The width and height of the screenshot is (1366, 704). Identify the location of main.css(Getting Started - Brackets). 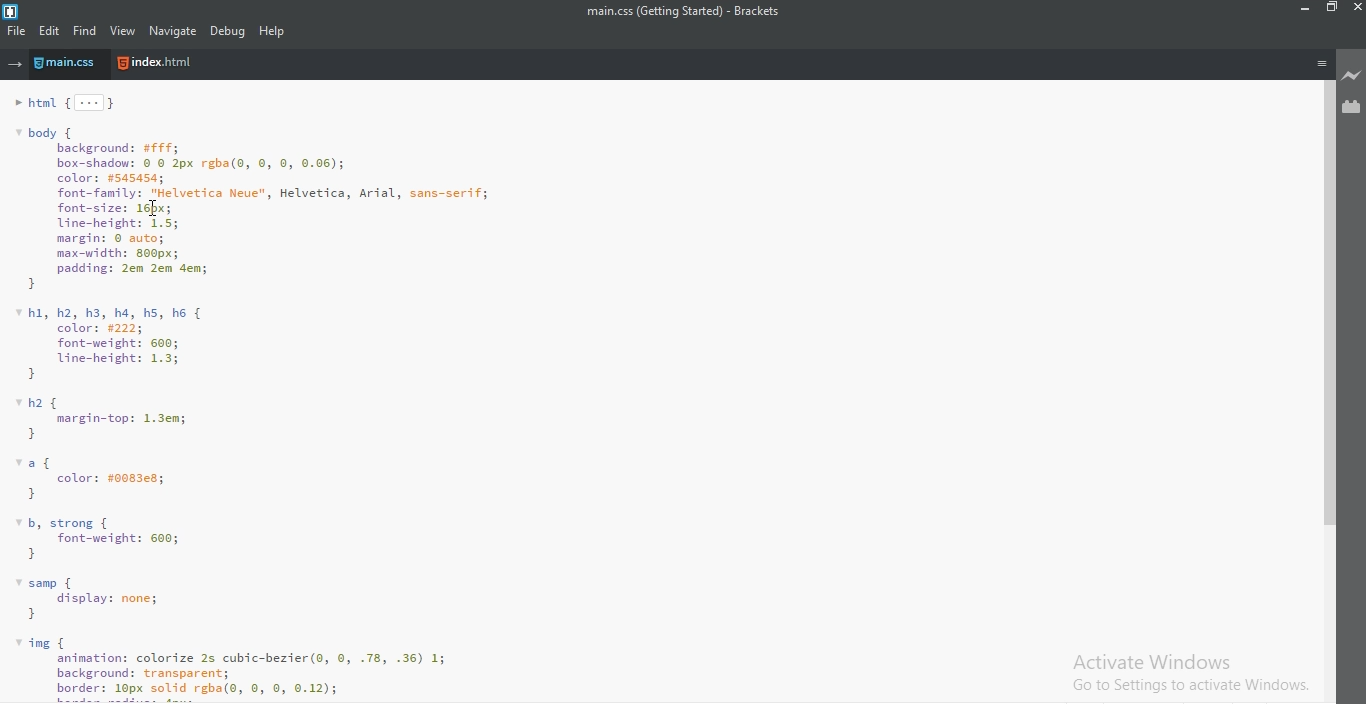
(682, 12).